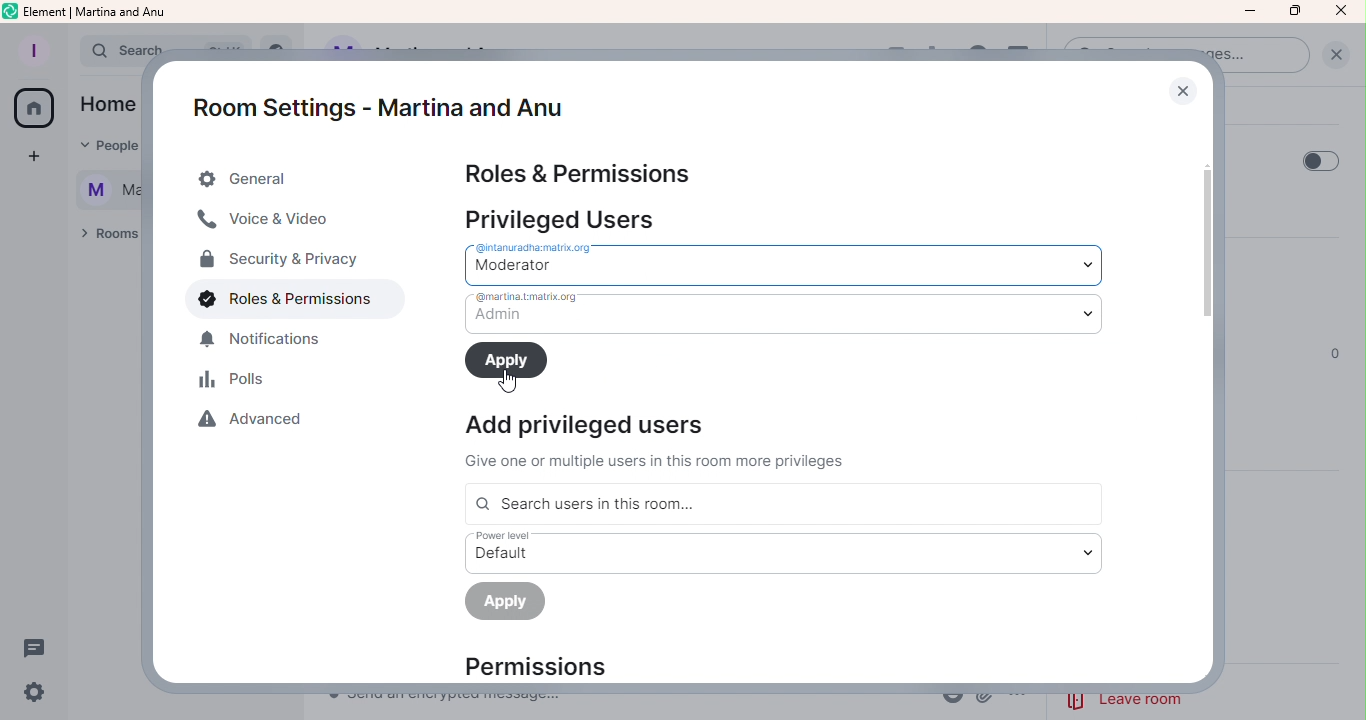 This screenshot has height=720, width=1366. I want to click on Voice and video, so click(268, 222).